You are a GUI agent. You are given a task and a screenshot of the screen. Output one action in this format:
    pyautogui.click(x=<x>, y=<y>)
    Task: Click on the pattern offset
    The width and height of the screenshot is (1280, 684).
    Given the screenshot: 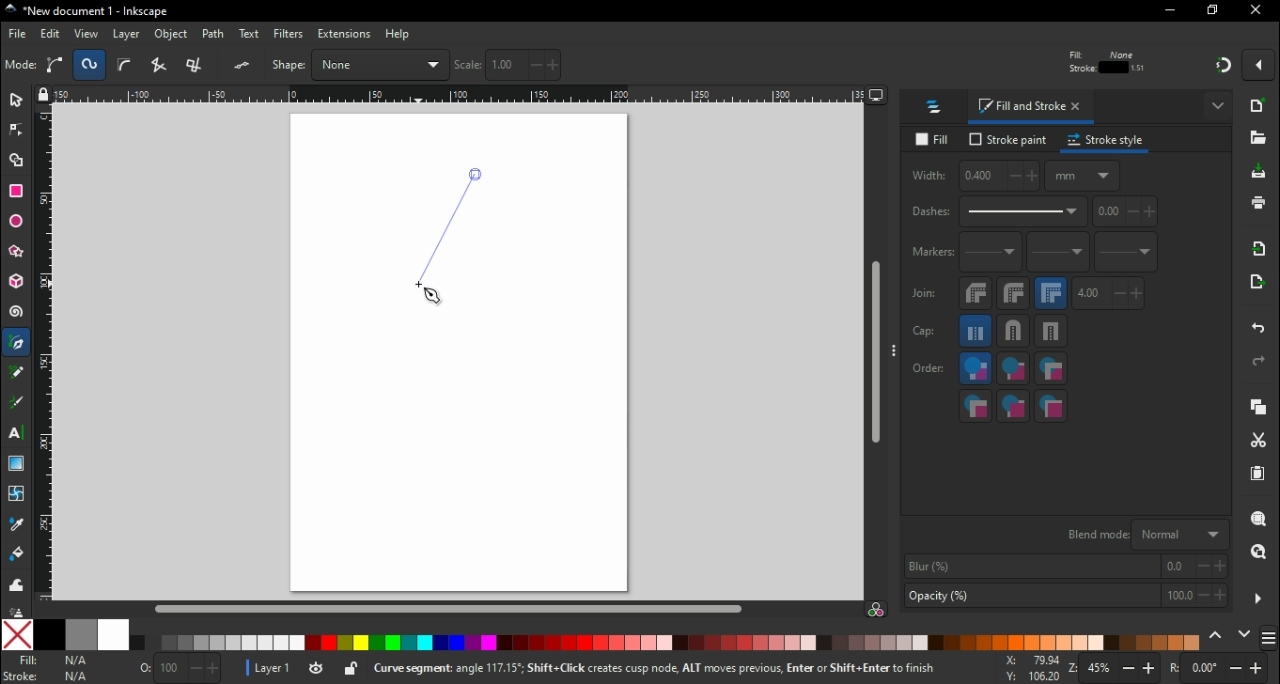 What is the action you would take?
    pyautogui.click(x=1127, y=217)
    